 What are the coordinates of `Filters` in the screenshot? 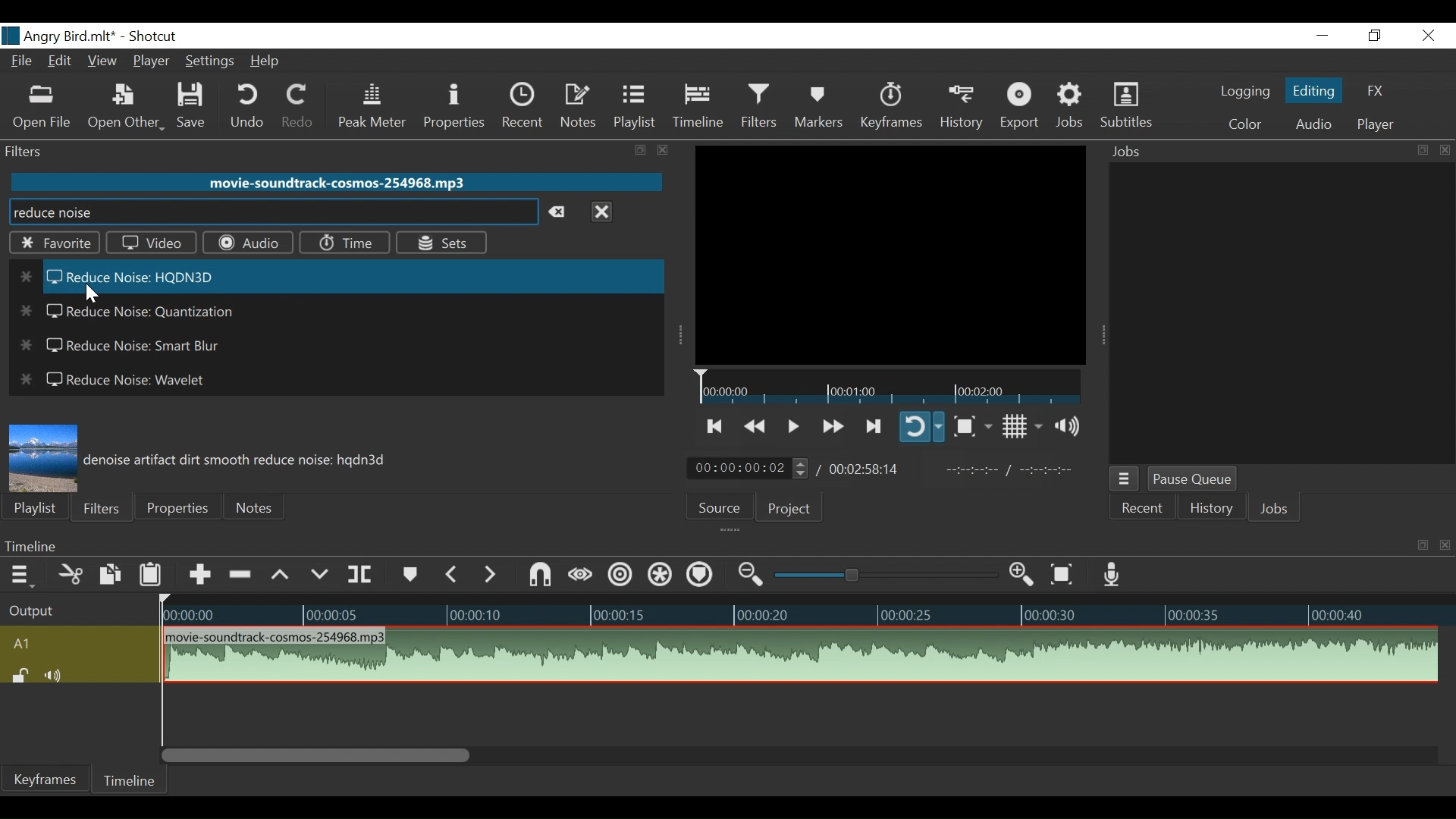 It's located at (759, 106).